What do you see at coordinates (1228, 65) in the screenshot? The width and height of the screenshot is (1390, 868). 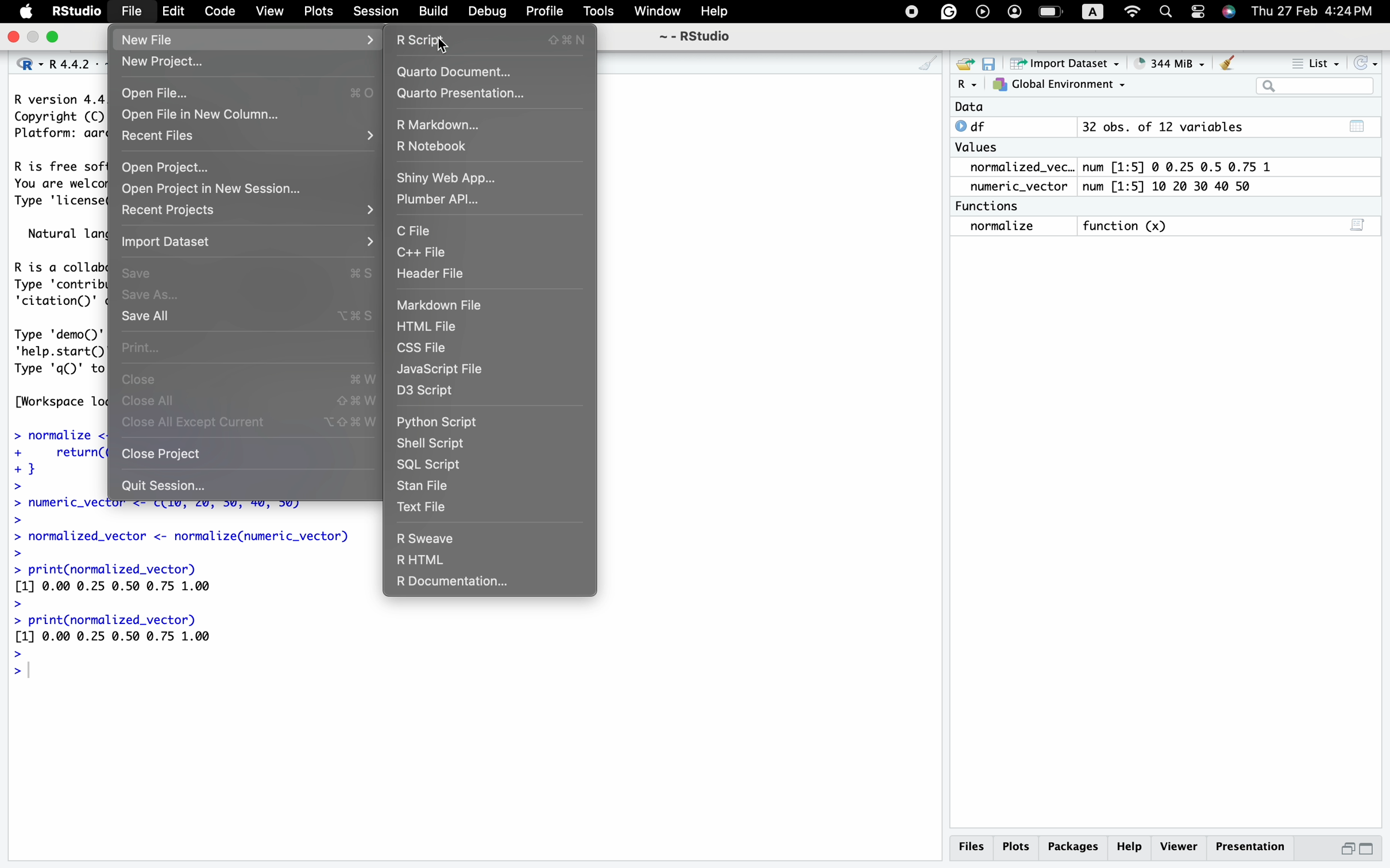 I see `Clear data` at bounding box center [1228, 65].